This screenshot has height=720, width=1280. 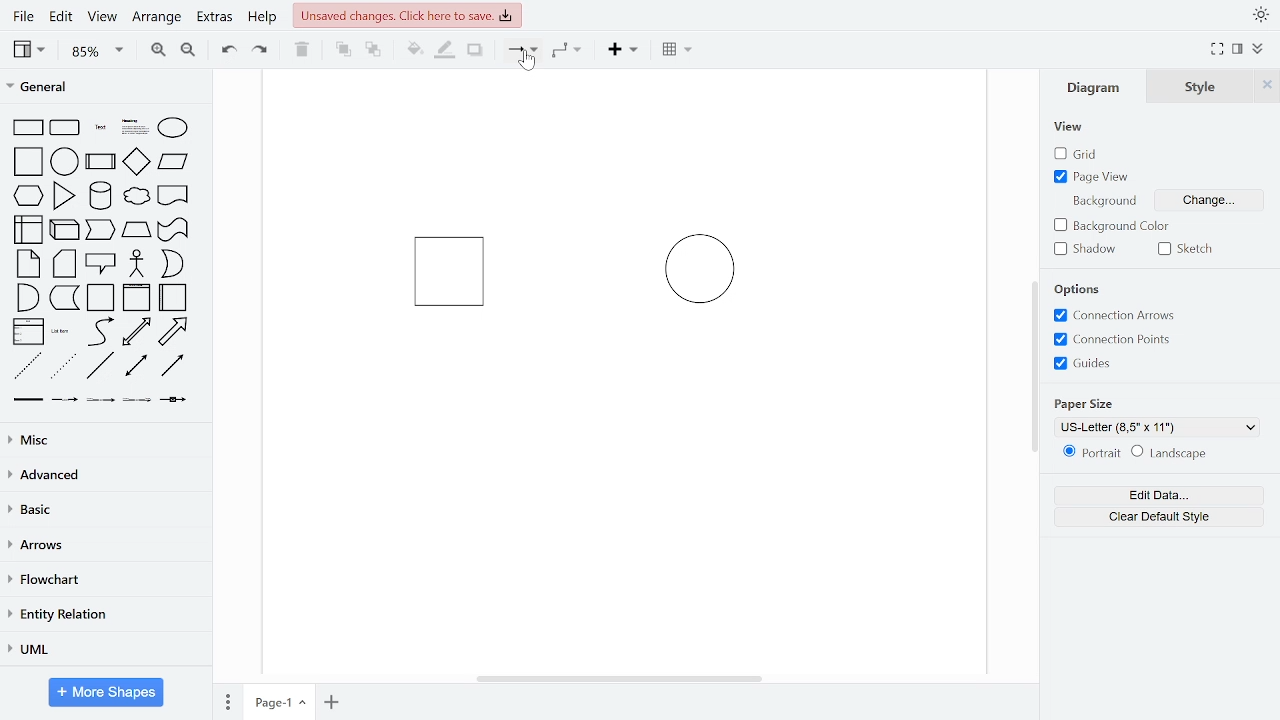 I want to click on page view, so click(x=1094, y=176).